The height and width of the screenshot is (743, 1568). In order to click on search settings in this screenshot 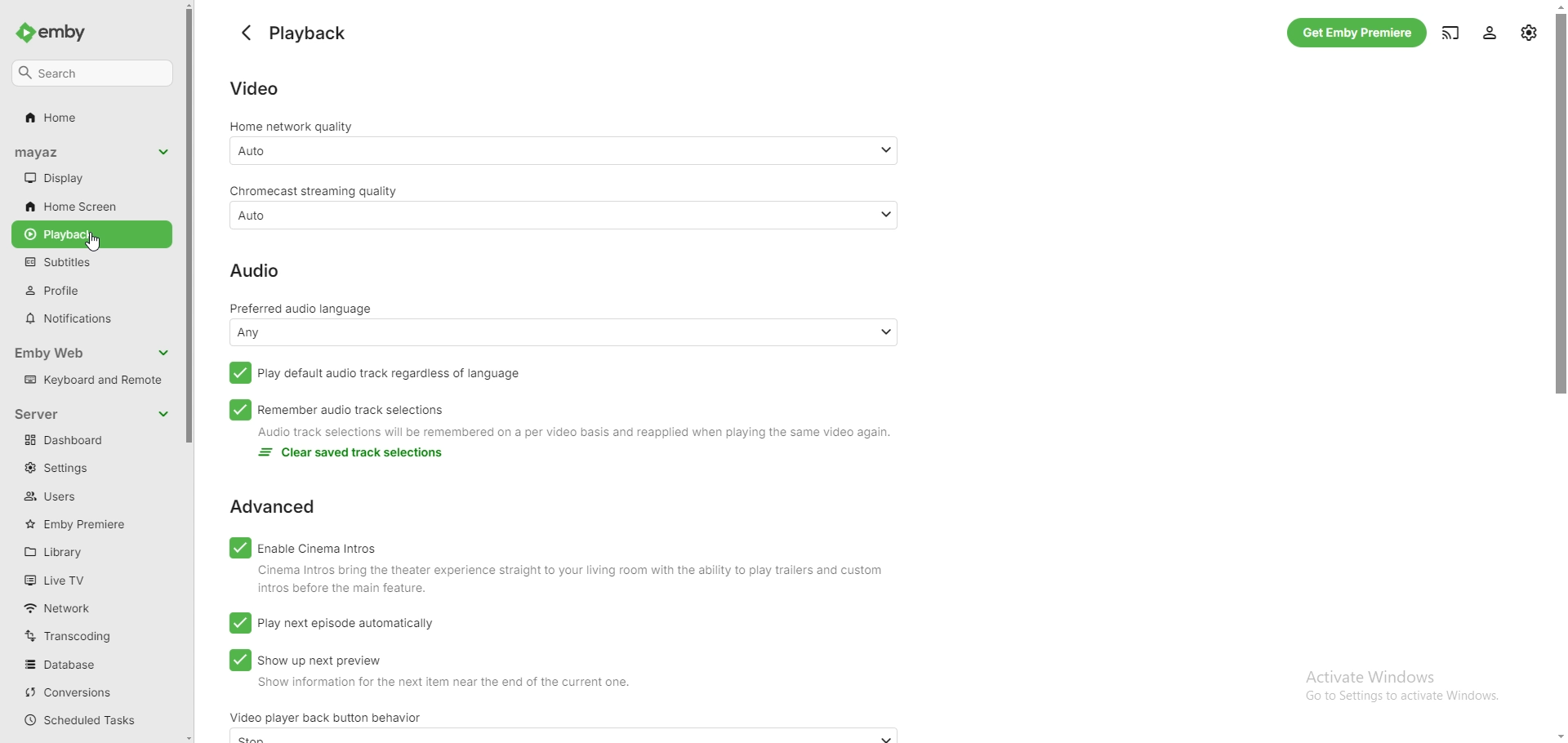, I will do `click(93, 73)`.